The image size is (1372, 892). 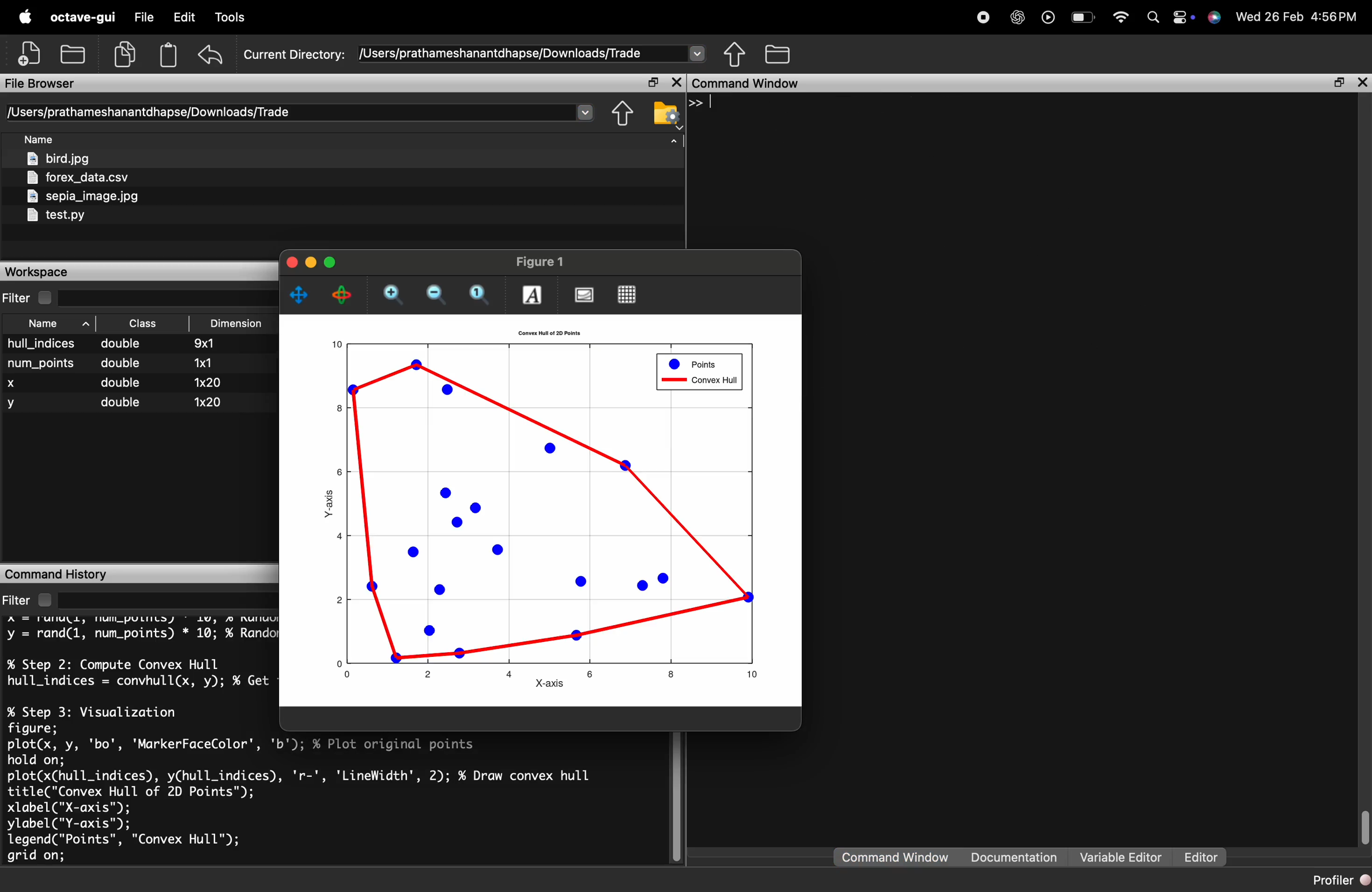 I want to click on forex_data.csv, so click(x=79, y=177).